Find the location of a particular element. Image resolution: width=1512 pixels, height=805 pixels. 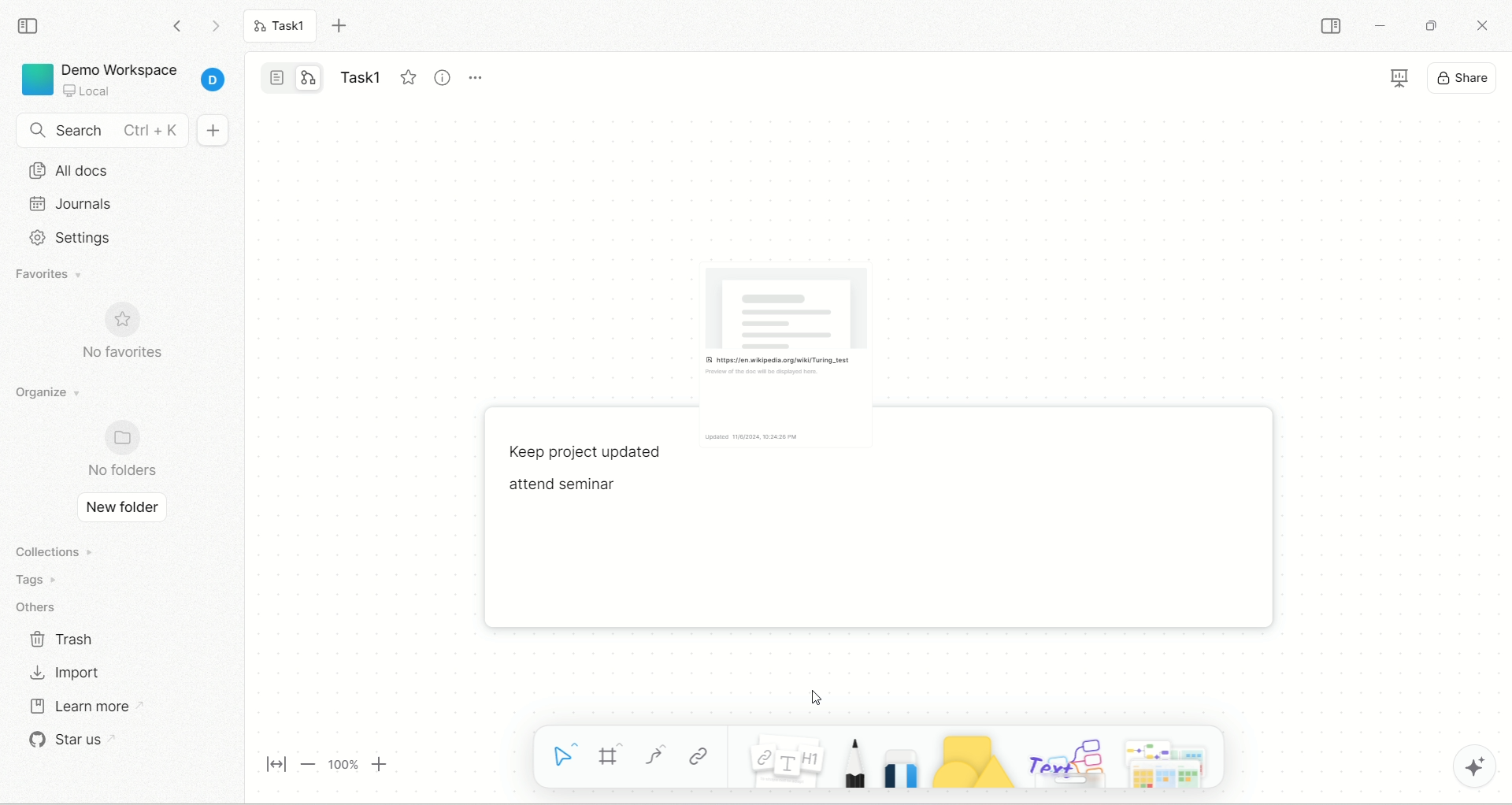

learn more is located at coordinates (97, 706).